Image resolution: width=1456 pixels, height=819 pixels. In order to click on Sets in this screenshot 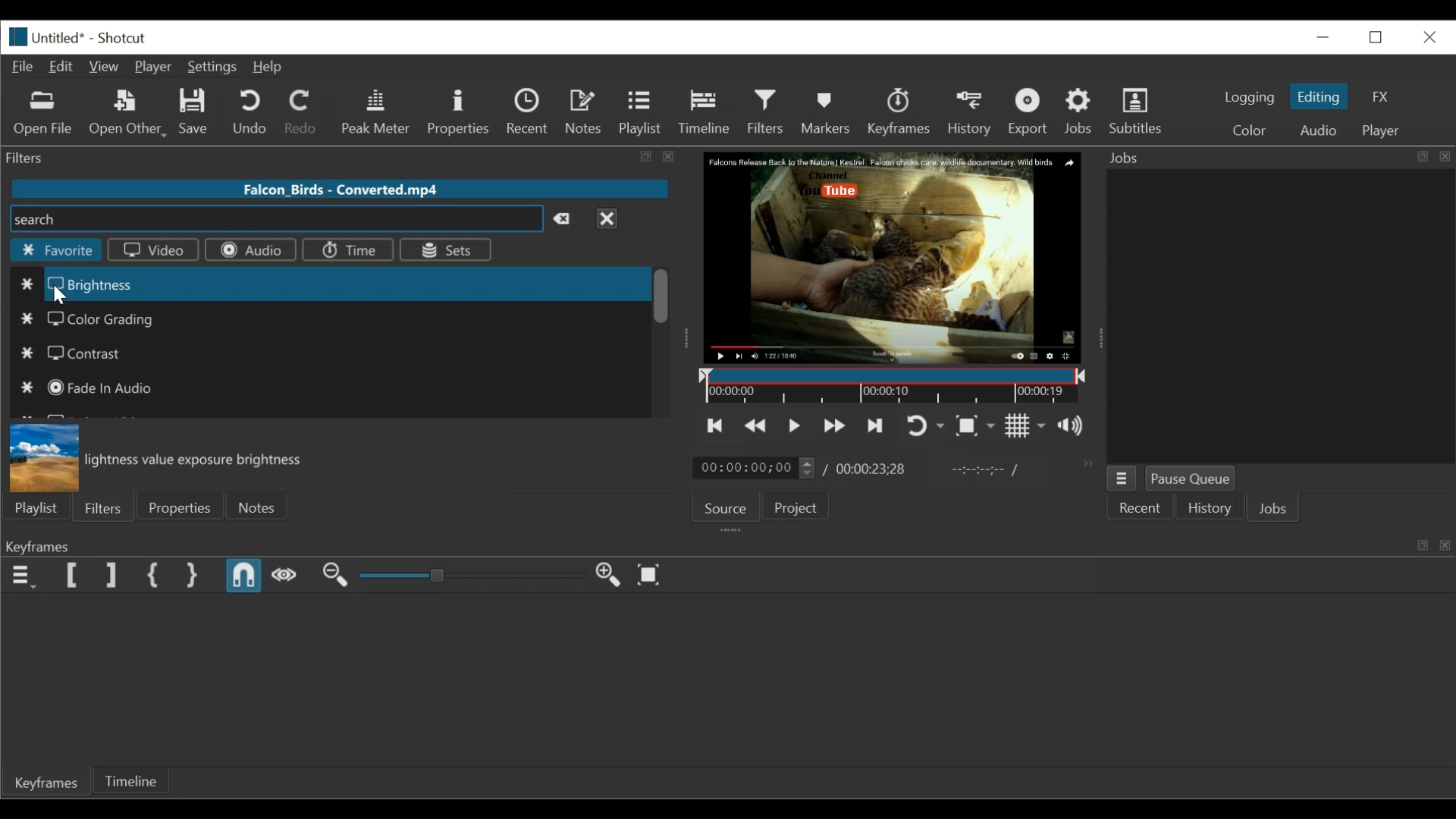, I will do `click(444, 249)`.